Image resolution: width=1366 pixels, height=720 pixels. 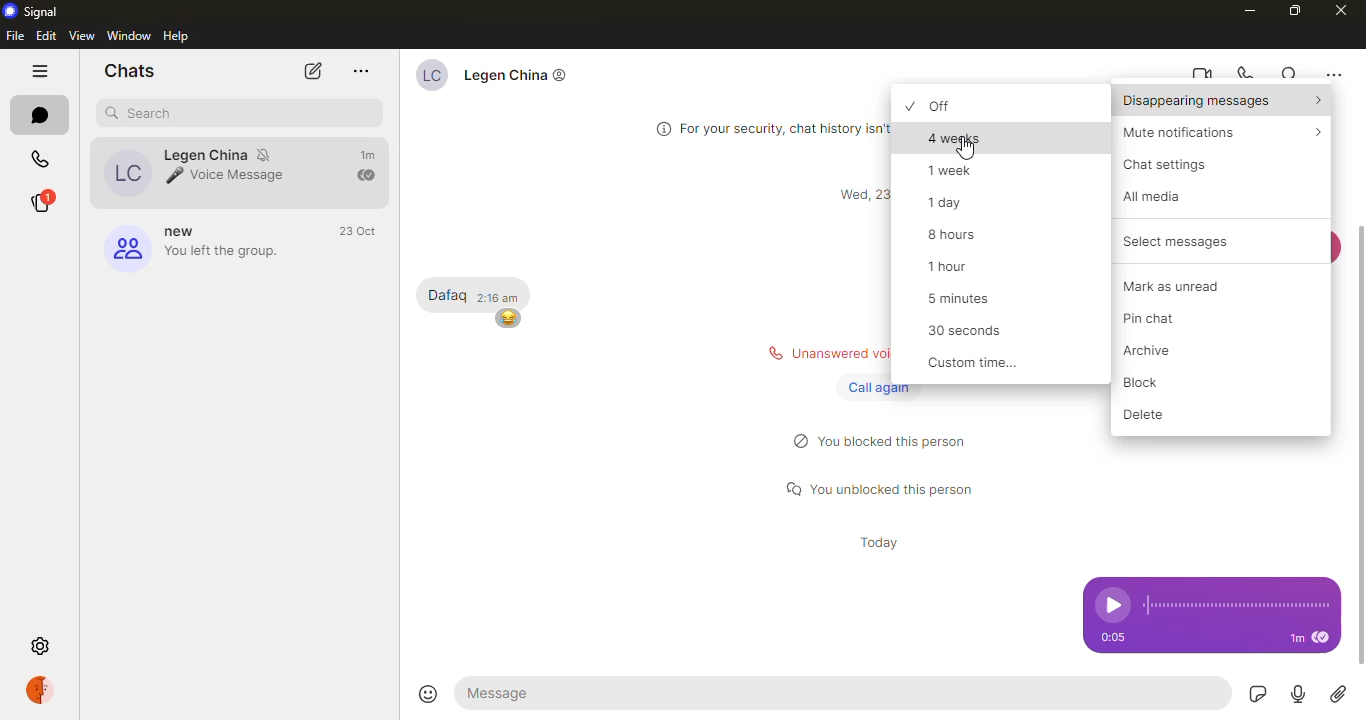 What do you see at coordinates (178, 36) in the screenshot?
I see `help` at bounding box center [178, 36].